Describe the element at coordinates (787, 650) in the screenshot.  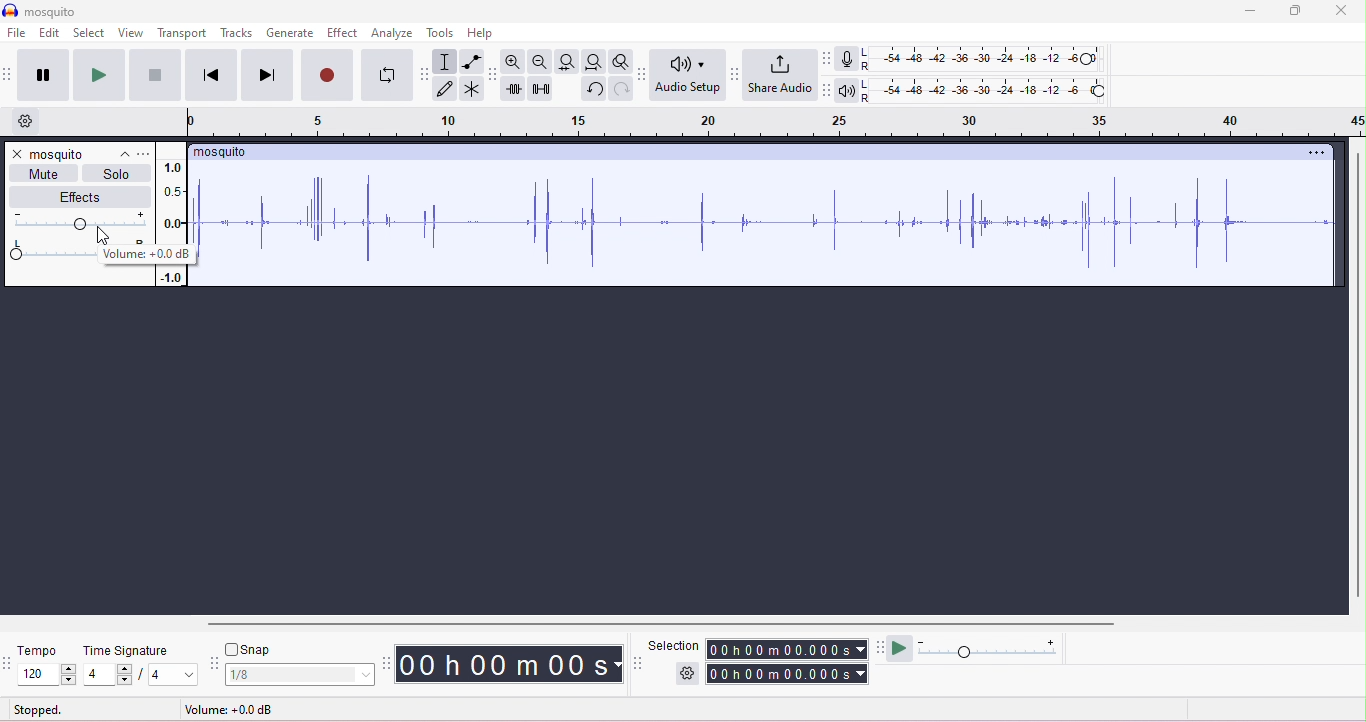
I see `selection time` at that location.